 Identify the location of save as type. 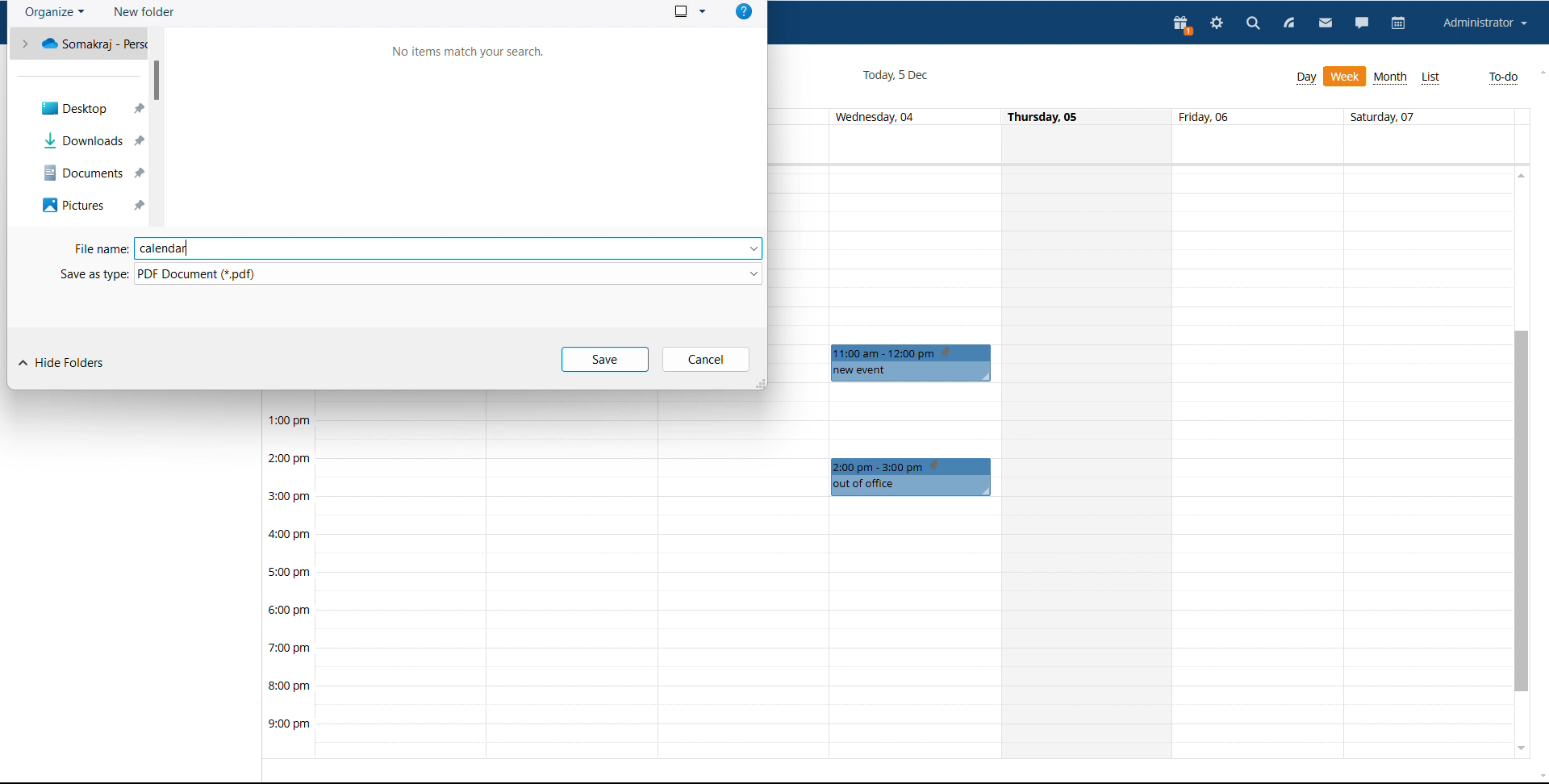
(411, 273).